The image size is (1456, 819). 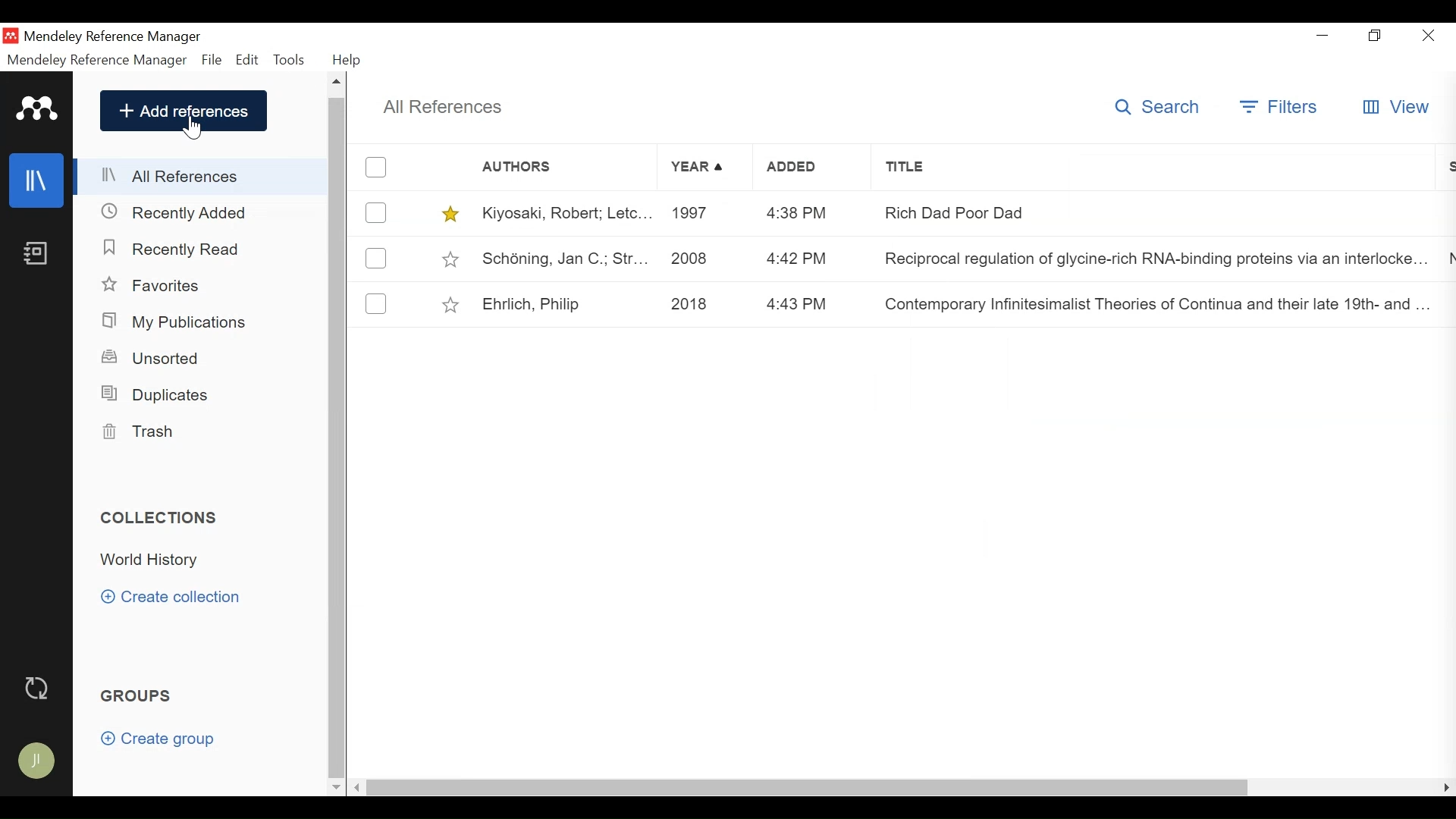 What do you see at coordinates (34, 107) in the screenshot?
I see `Mendeley Logo` at bounding box center [34, 107].